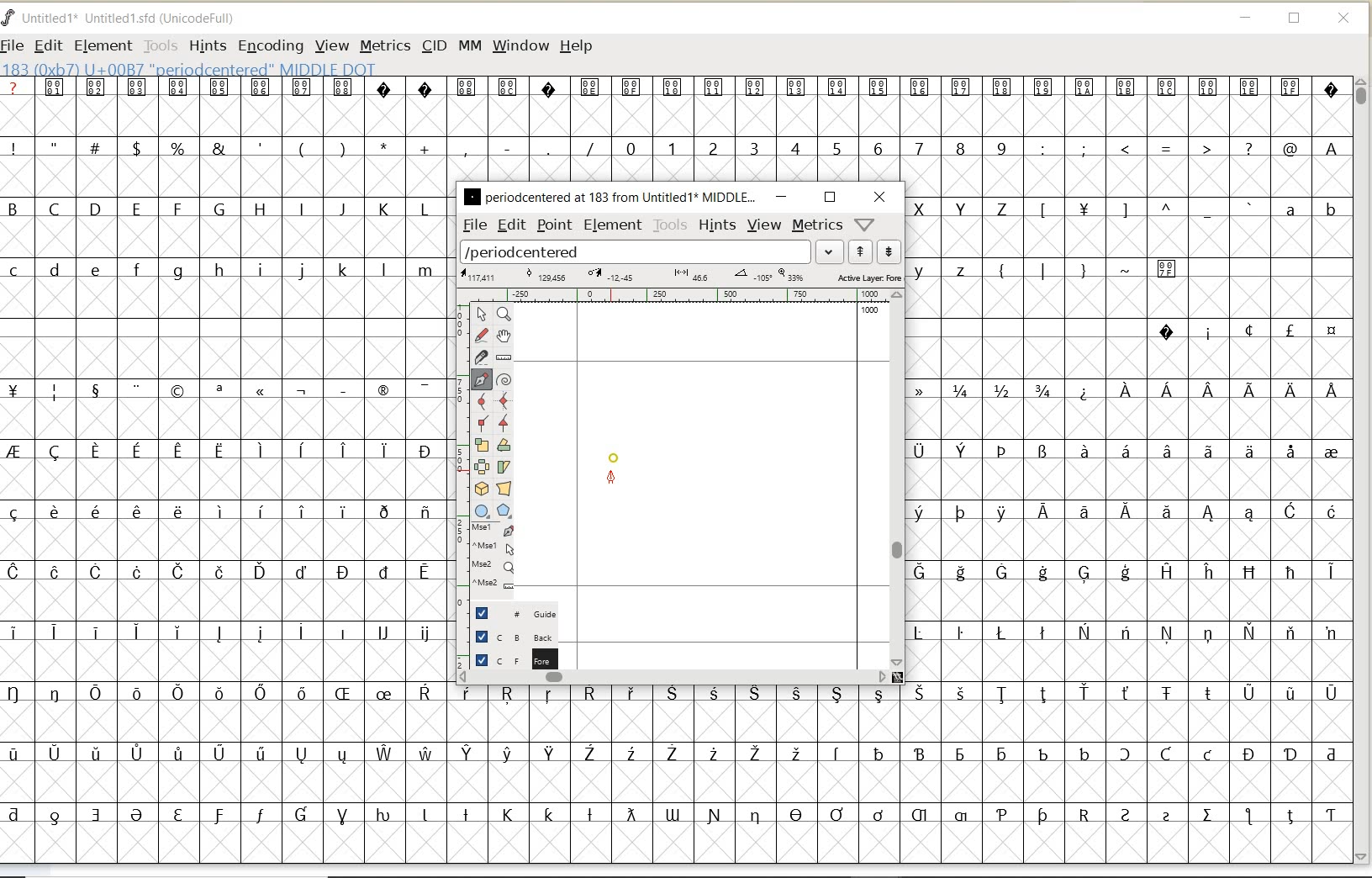 Image resolution: width=1372 pixels, height=878 pixels. What do you see at coordinates (481, 422) in the screenshot?
I see `Add a corner point` at bounding box center [481, 422].